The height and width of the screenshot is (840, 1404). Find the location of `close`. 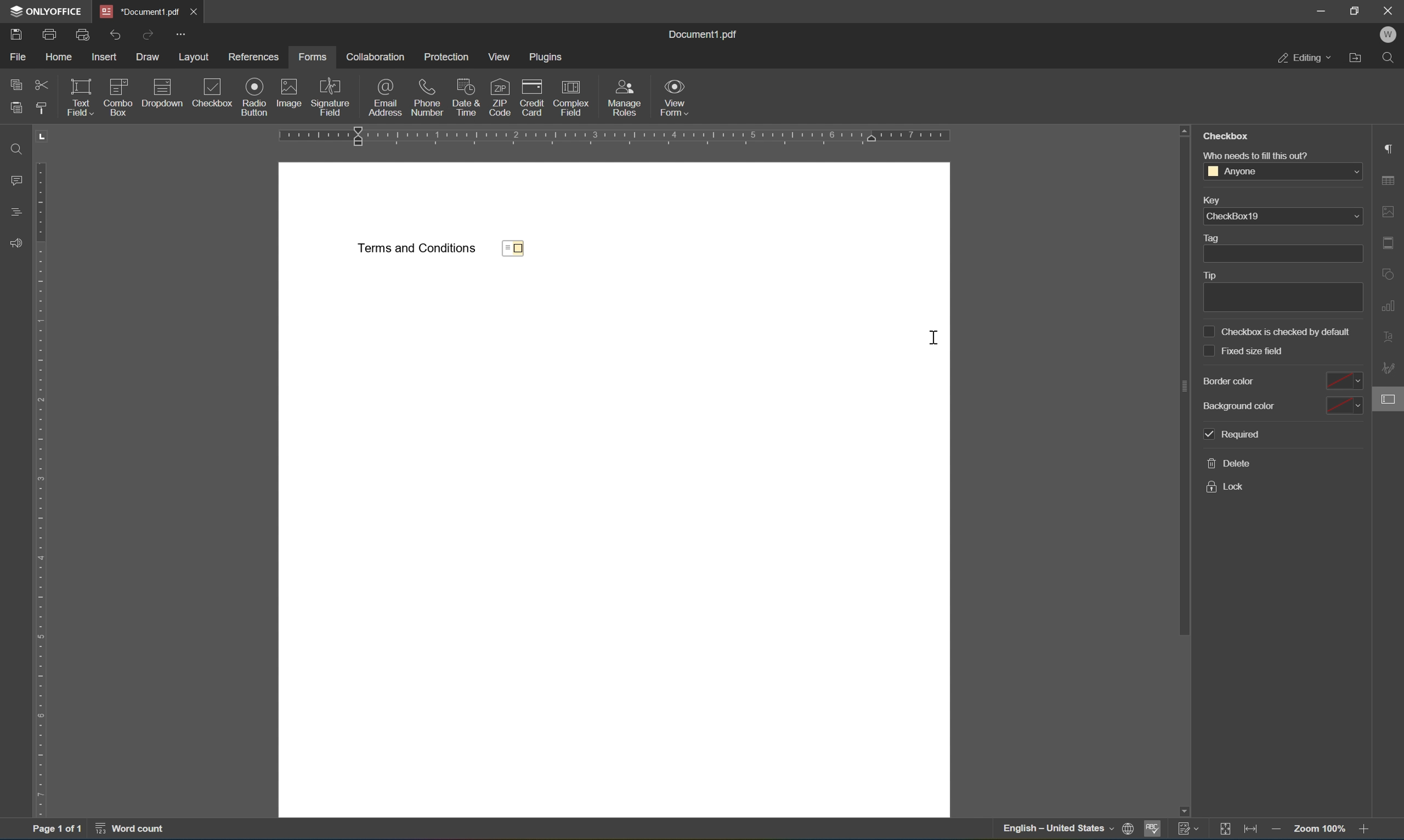

close is located at coordinates (1389, 10).